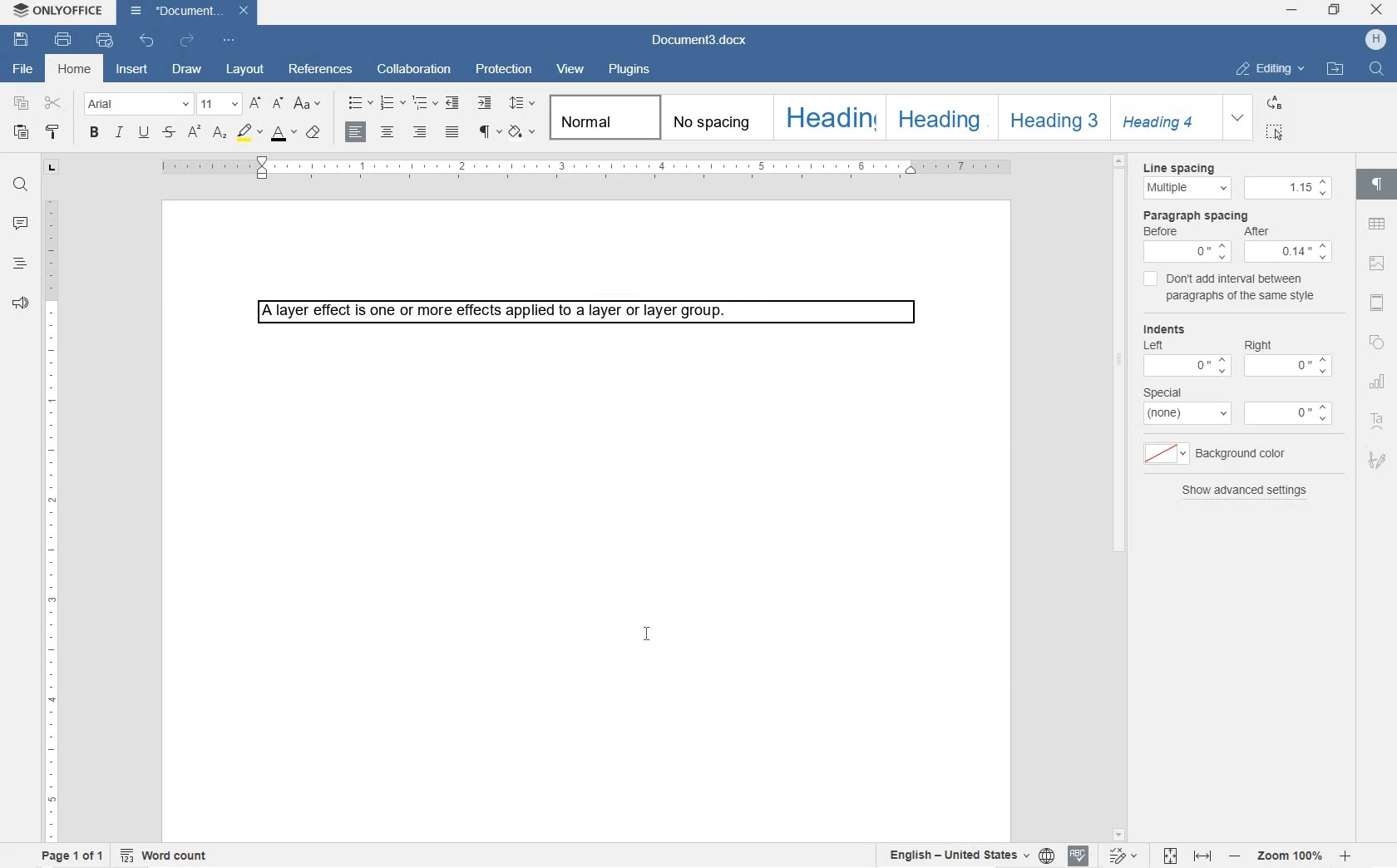 This screenshot has width=1397, height=868. I want to click on WORD COUNT, so click(166, 854).